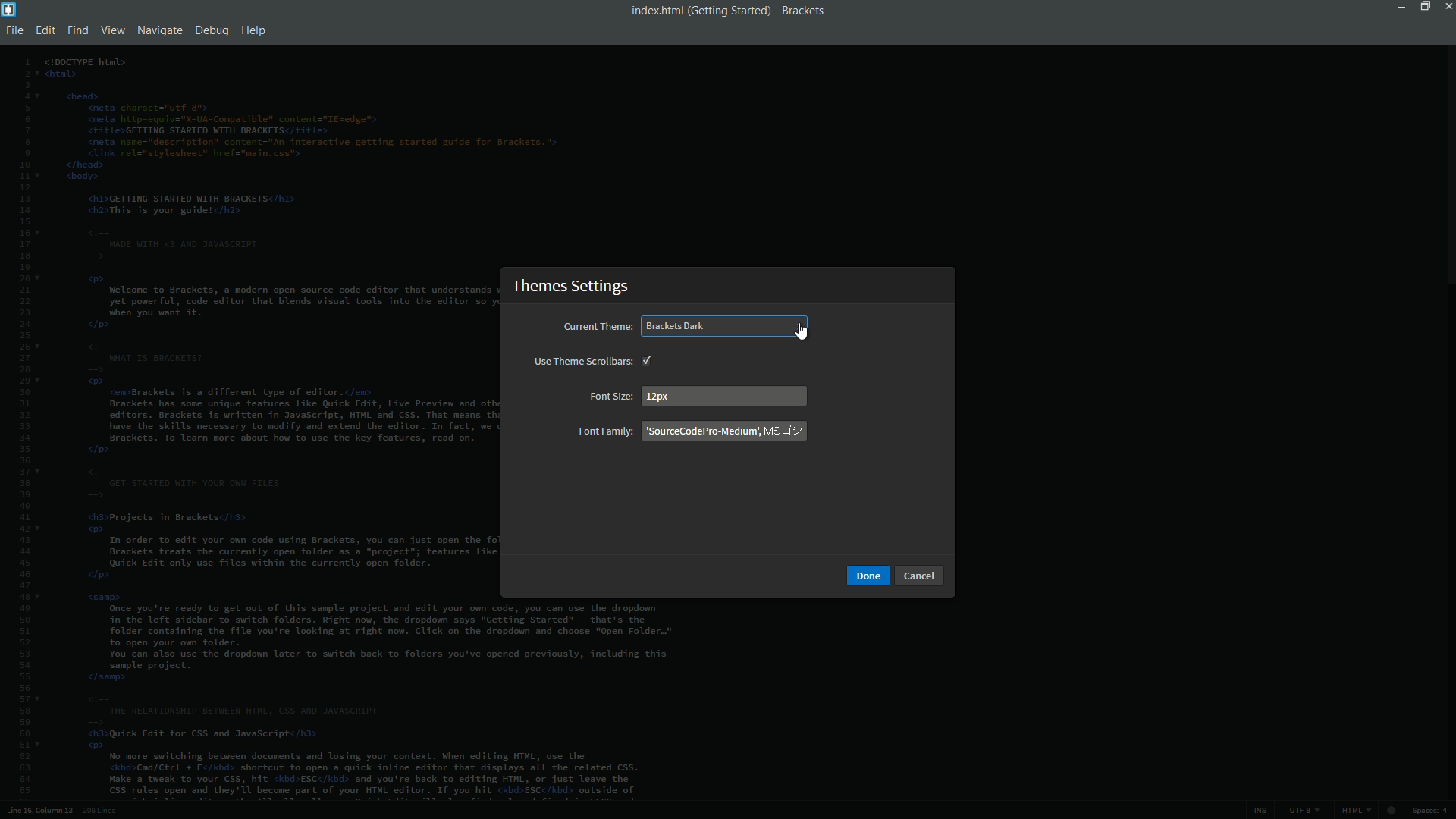 This screenshot has width=1456, height=819. What do you see at coordinates (1258, 811) in the screenshot?
I see `ins` at bounding box center [1258, 811].